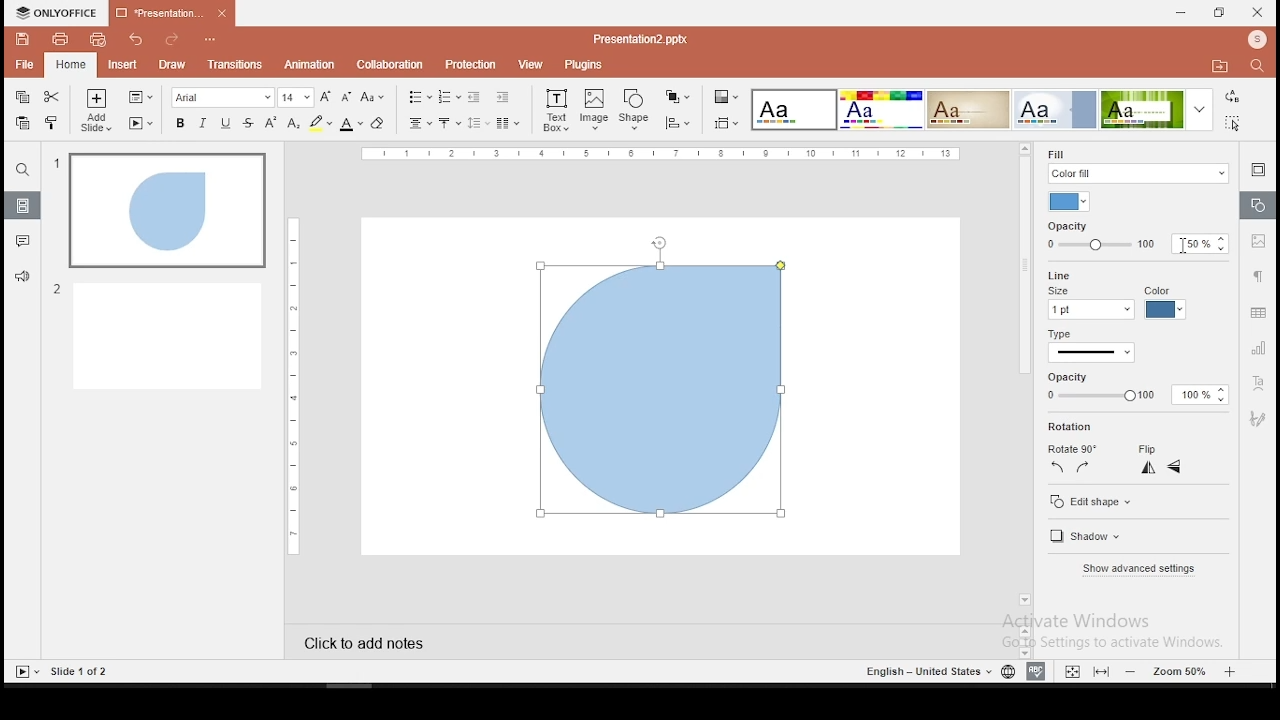  What do you see at coordinates (272, 122) in the screenshot?
I see `superscript` at bounding box center [272, 122].